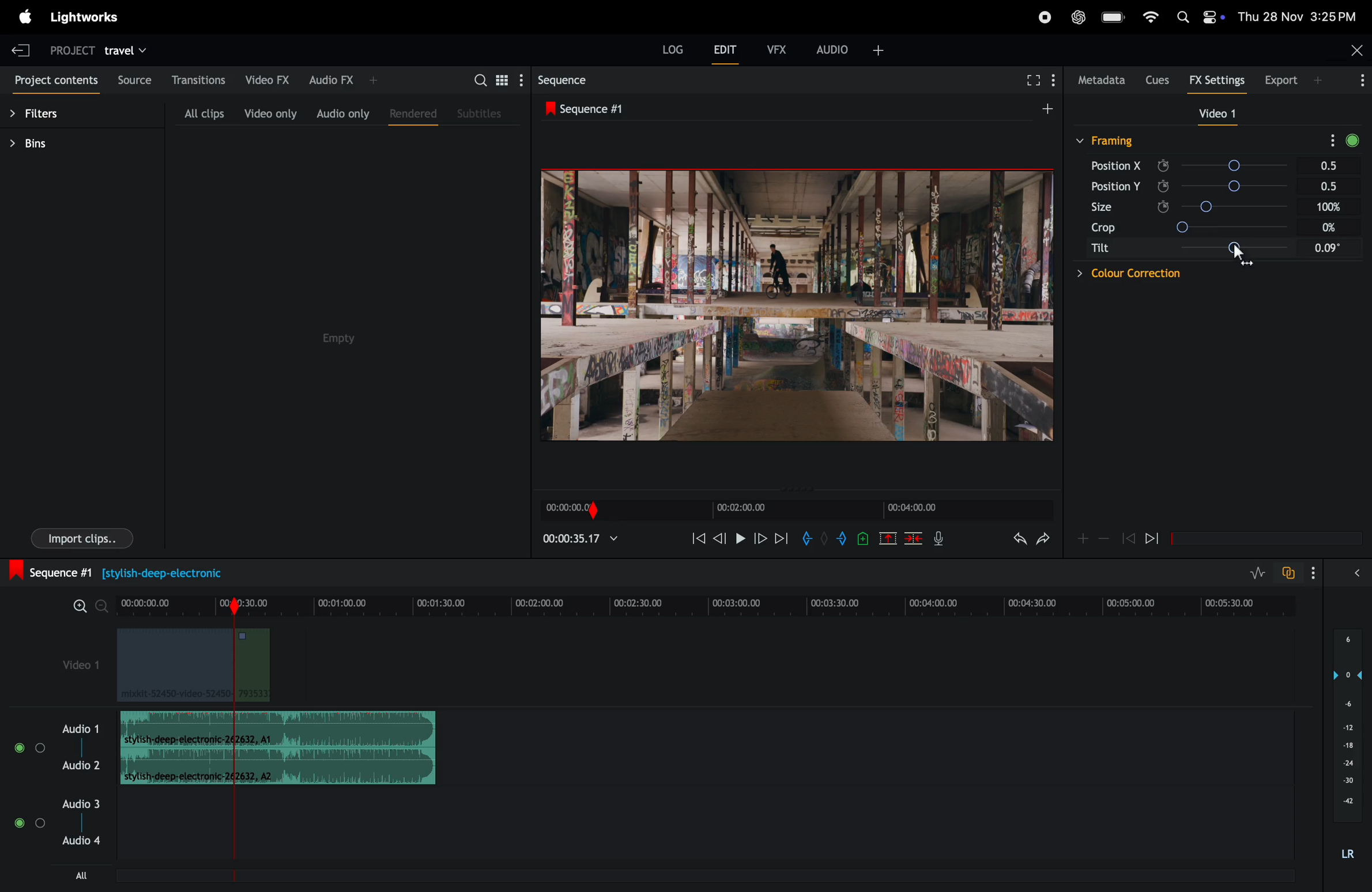  Describe the element at coordinates (889, 537) in the screenshot. I see `remove marked section` at that location.